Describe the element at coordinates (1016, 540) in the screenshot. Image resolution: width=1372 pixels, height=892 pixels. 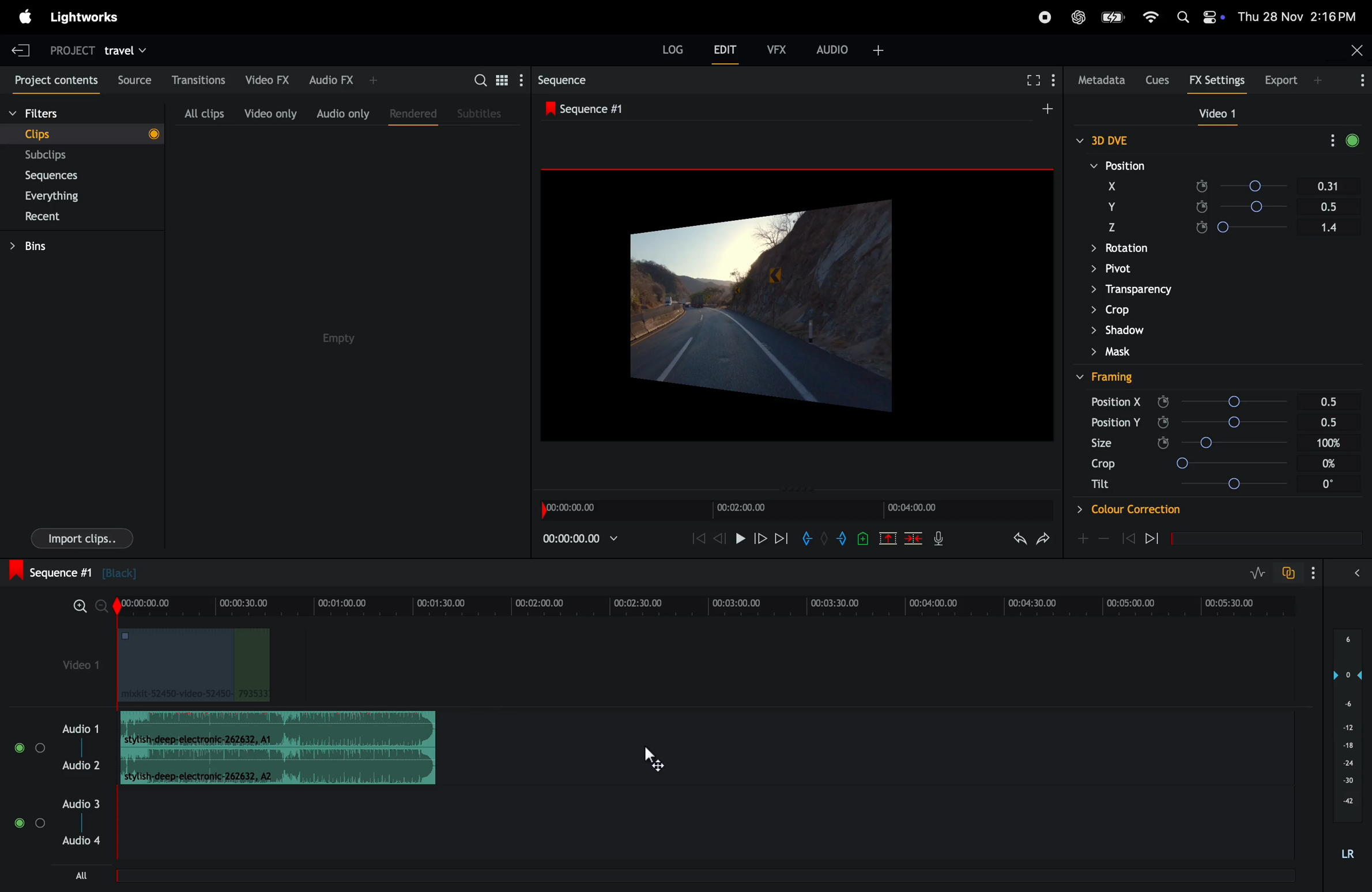
I see `redo` at that location.